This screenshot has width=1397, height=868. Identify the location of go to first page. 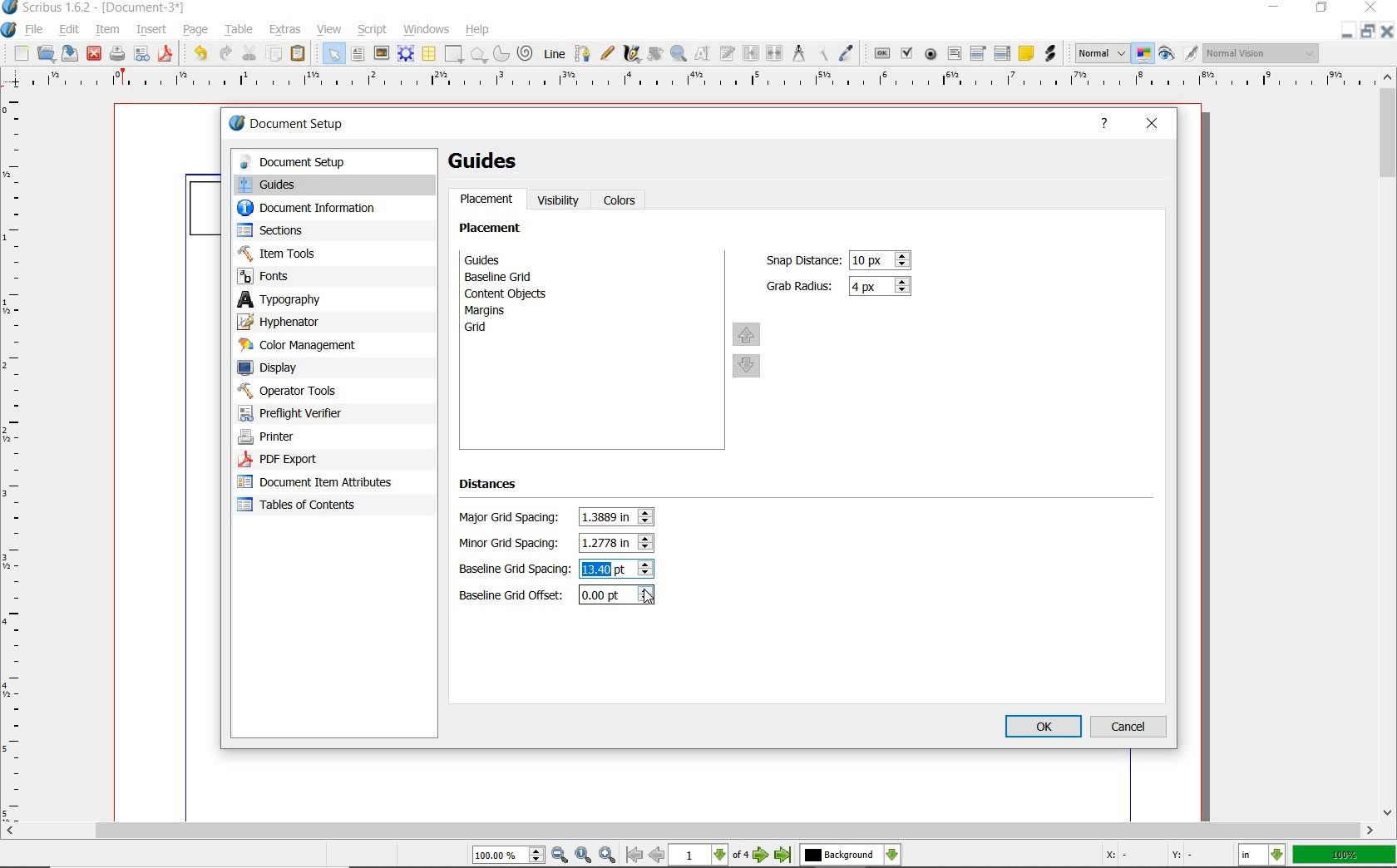
(634, 856).